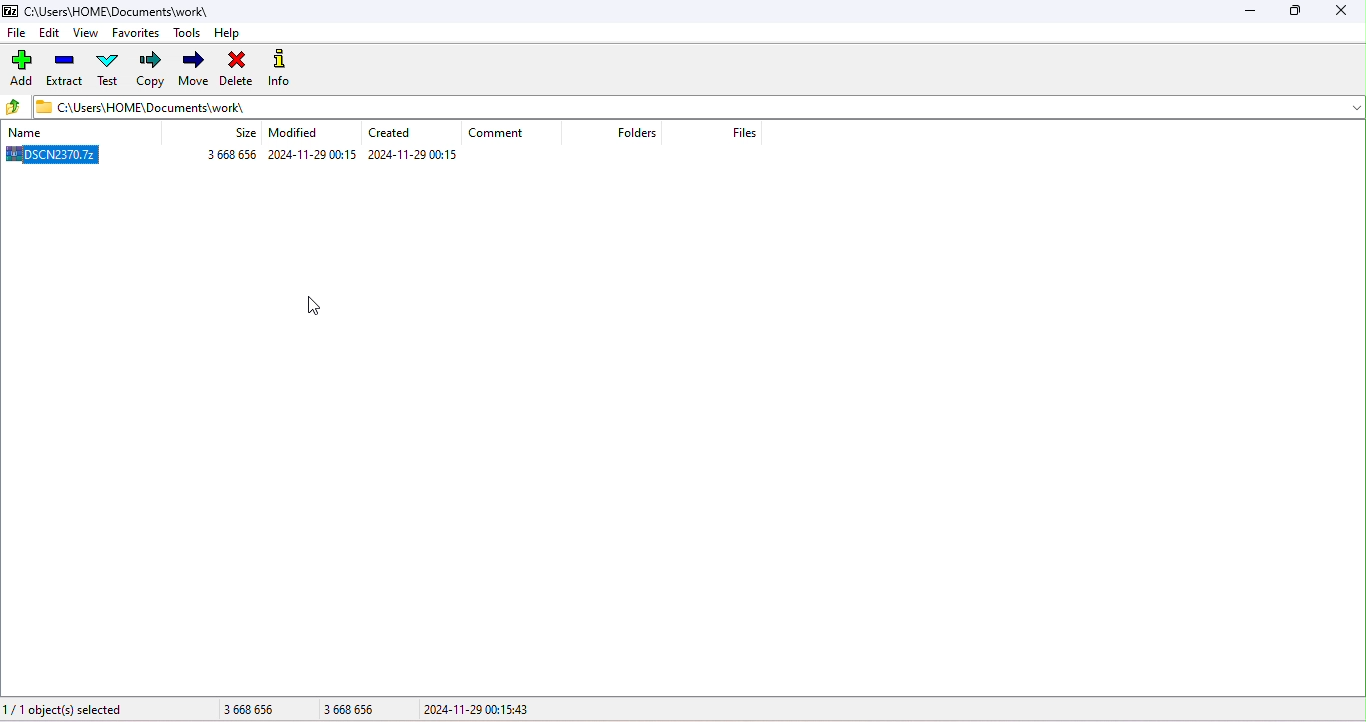 The height and width of the screenshot is (722, 1366). What do you see at coordinates (748, 134) in the screenshot?
I see `files` at bounding box center [748, 134].